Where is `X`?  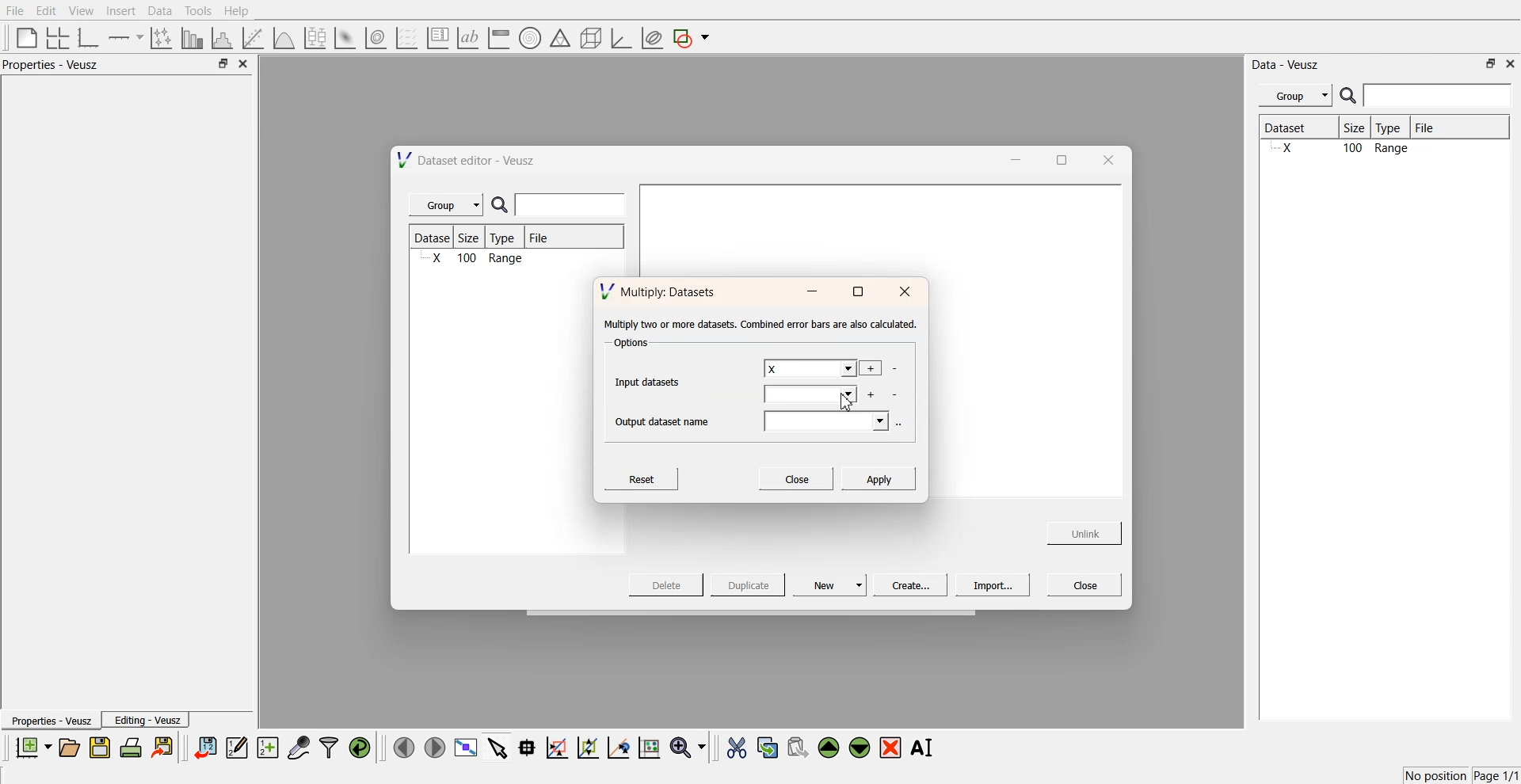 X is located at coordinates (809, 369).